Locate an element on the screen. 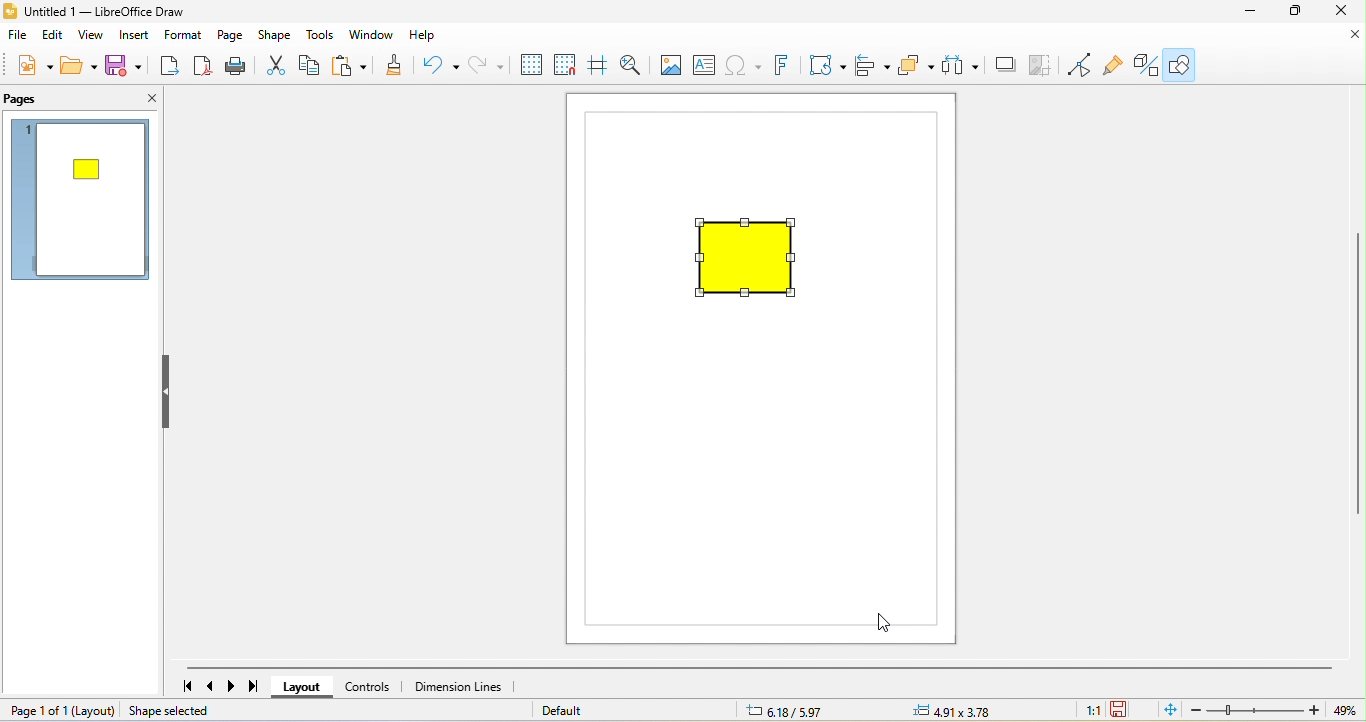 The image size is (1366, 722). show gluepoint function is located at coordinates (1114, 65).